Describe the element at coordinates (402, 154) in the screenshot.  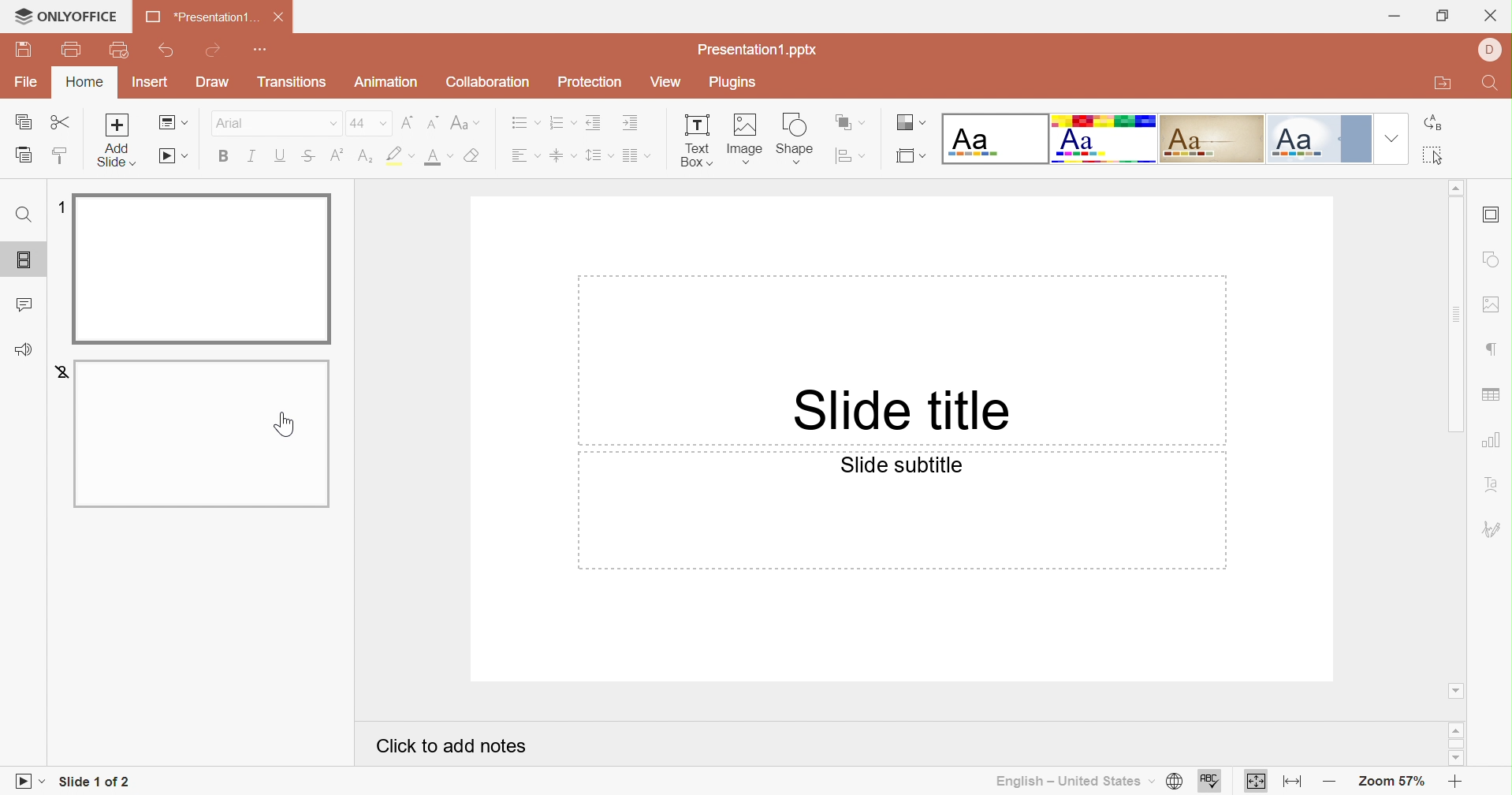
I see `Highlight color` at that location.